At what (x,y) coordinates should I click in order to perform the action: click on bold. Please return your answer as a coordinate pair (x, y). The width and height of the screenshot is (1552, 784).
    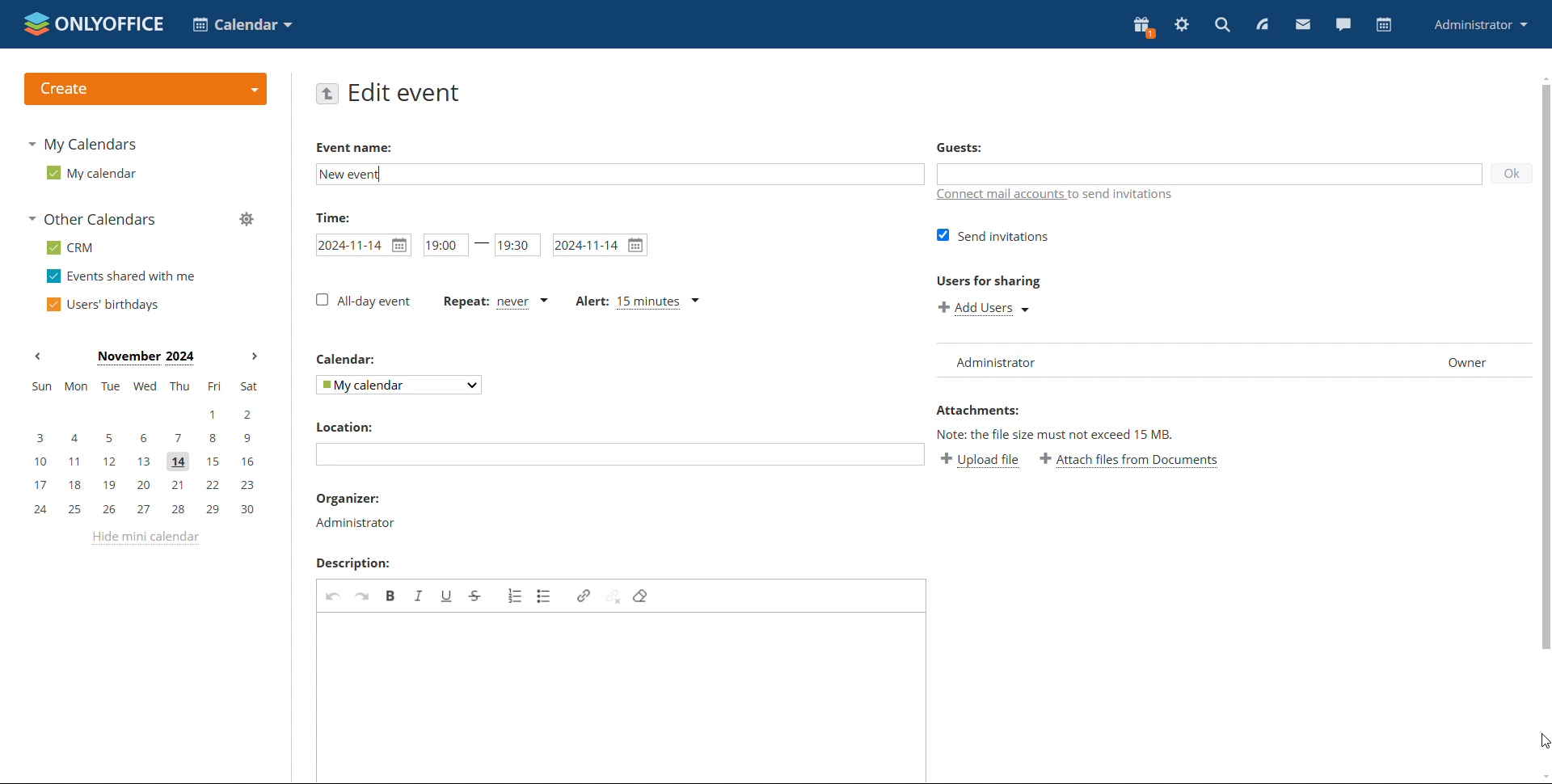
    Looking at the image, I should click on (392, 596).